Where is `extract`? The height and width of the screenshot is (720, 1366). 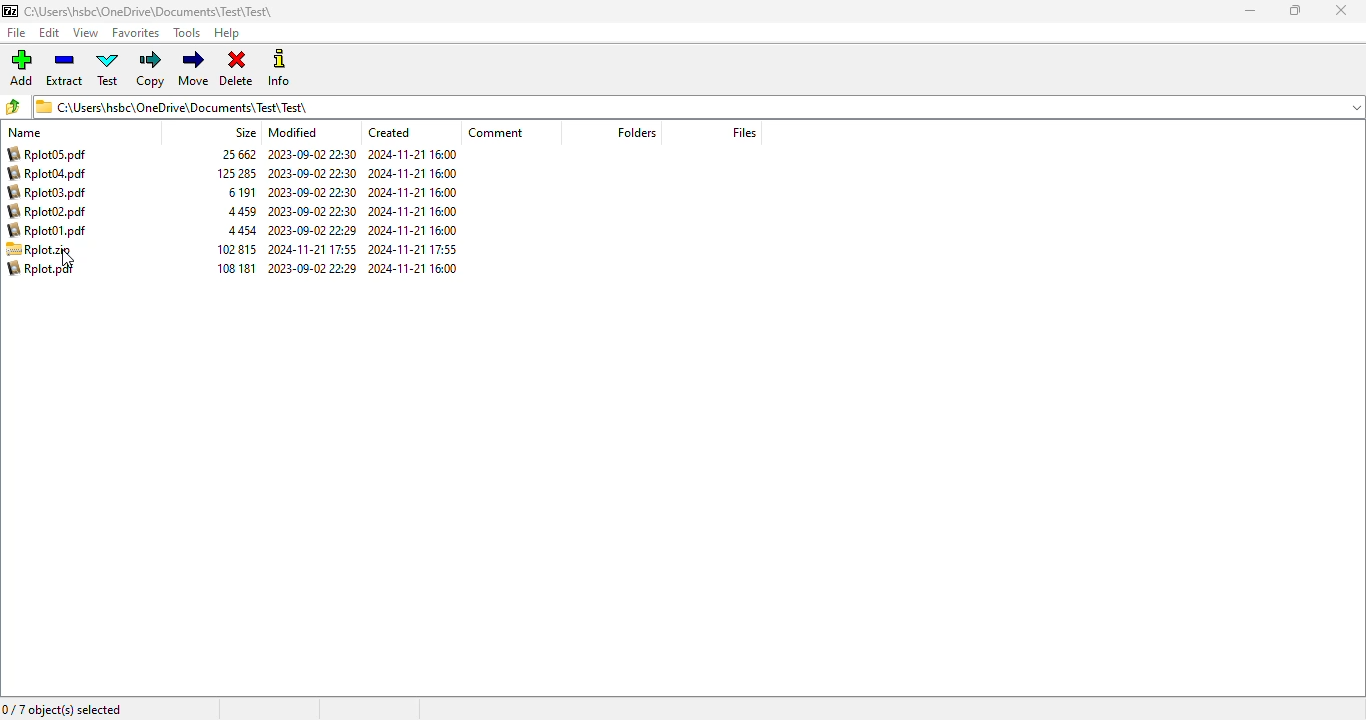
extract is located at coordinates (66, 68).